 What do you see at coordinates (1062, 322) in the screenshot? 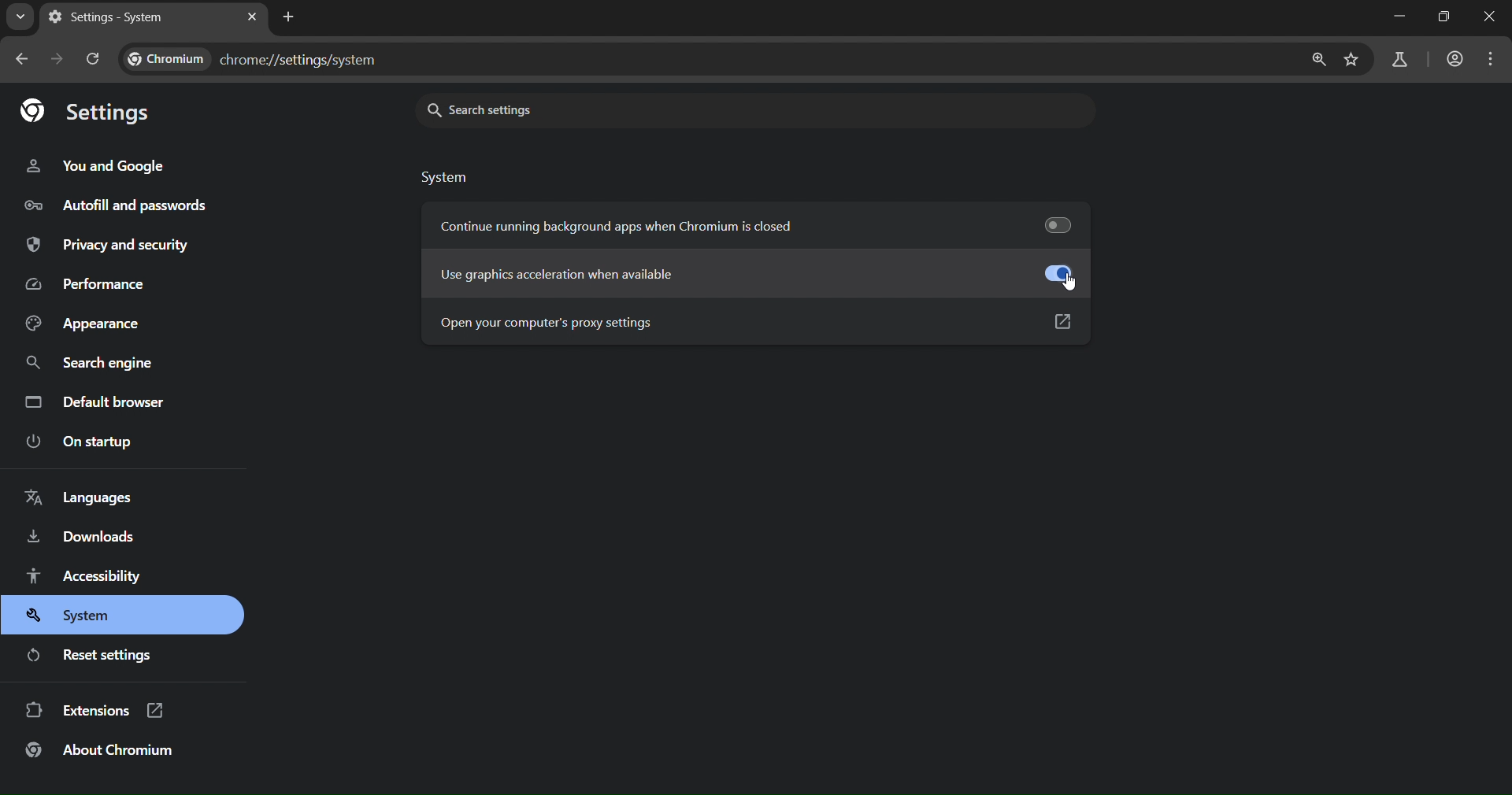
I see `Open link in new tab` at bounding box center [1062, 322].